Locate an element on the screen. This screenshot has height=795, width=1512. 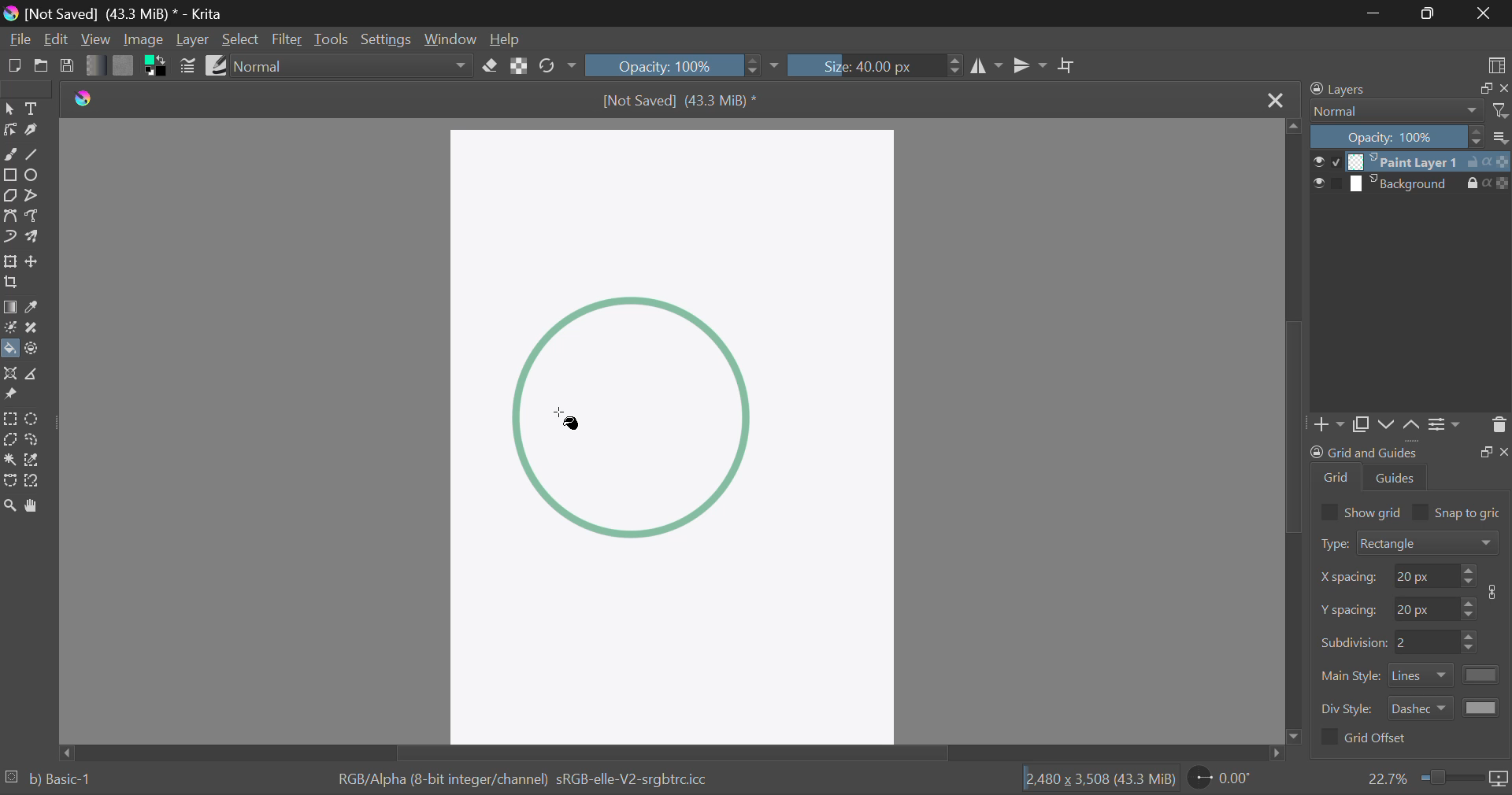
Crop is located at coordinates (9, 283).